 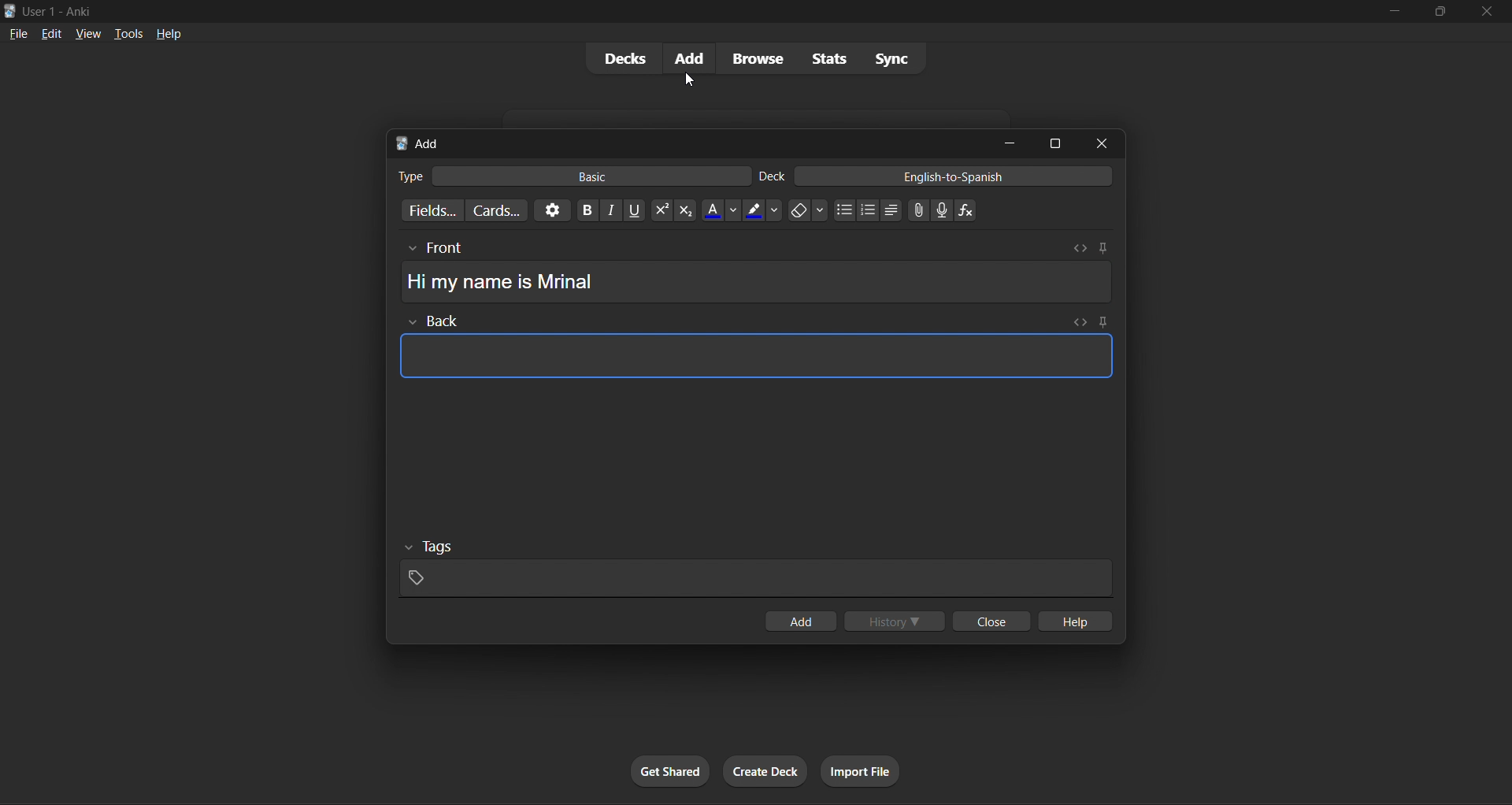 What do you see at coordinates (890, 56) in the screenshot?
I see `sync` at bounding box center [890, 56].